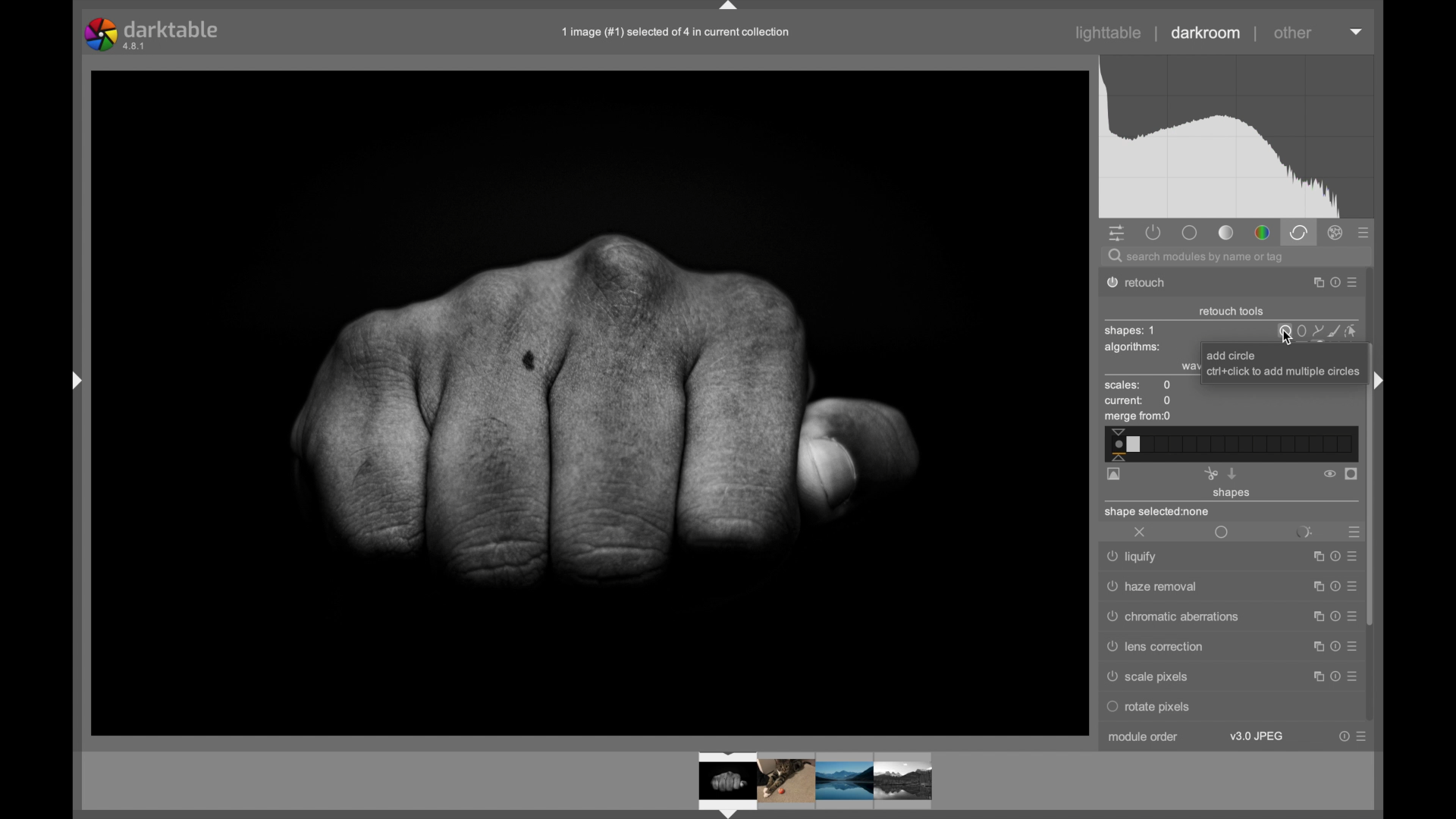  What do you see at coordinates (1313, 588) in the screenshot?
I see `maximize` at bounding box center [1313, 588].